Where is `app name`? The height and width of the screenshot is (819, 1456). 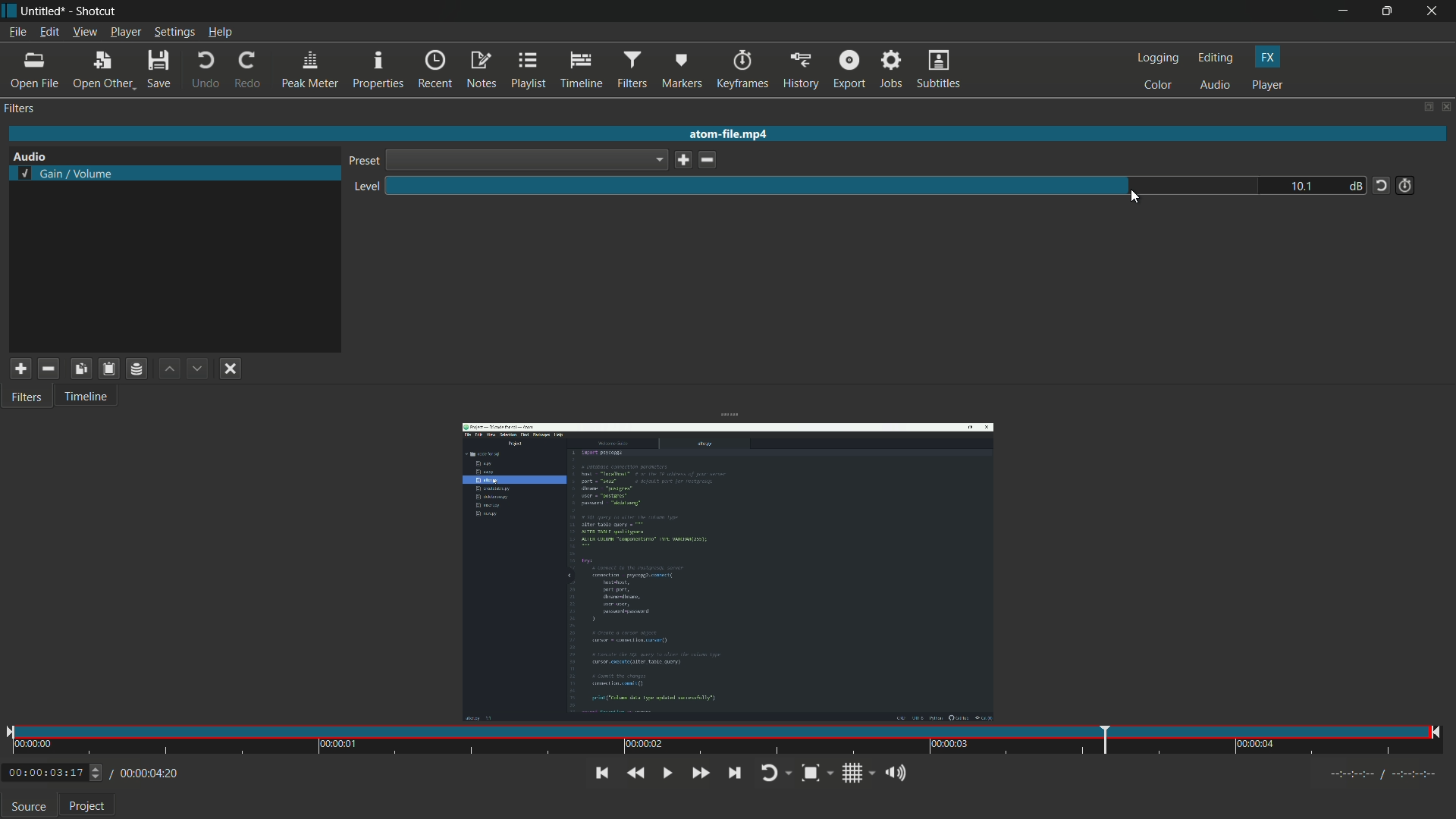 app name is located at coordinates (94, 11).